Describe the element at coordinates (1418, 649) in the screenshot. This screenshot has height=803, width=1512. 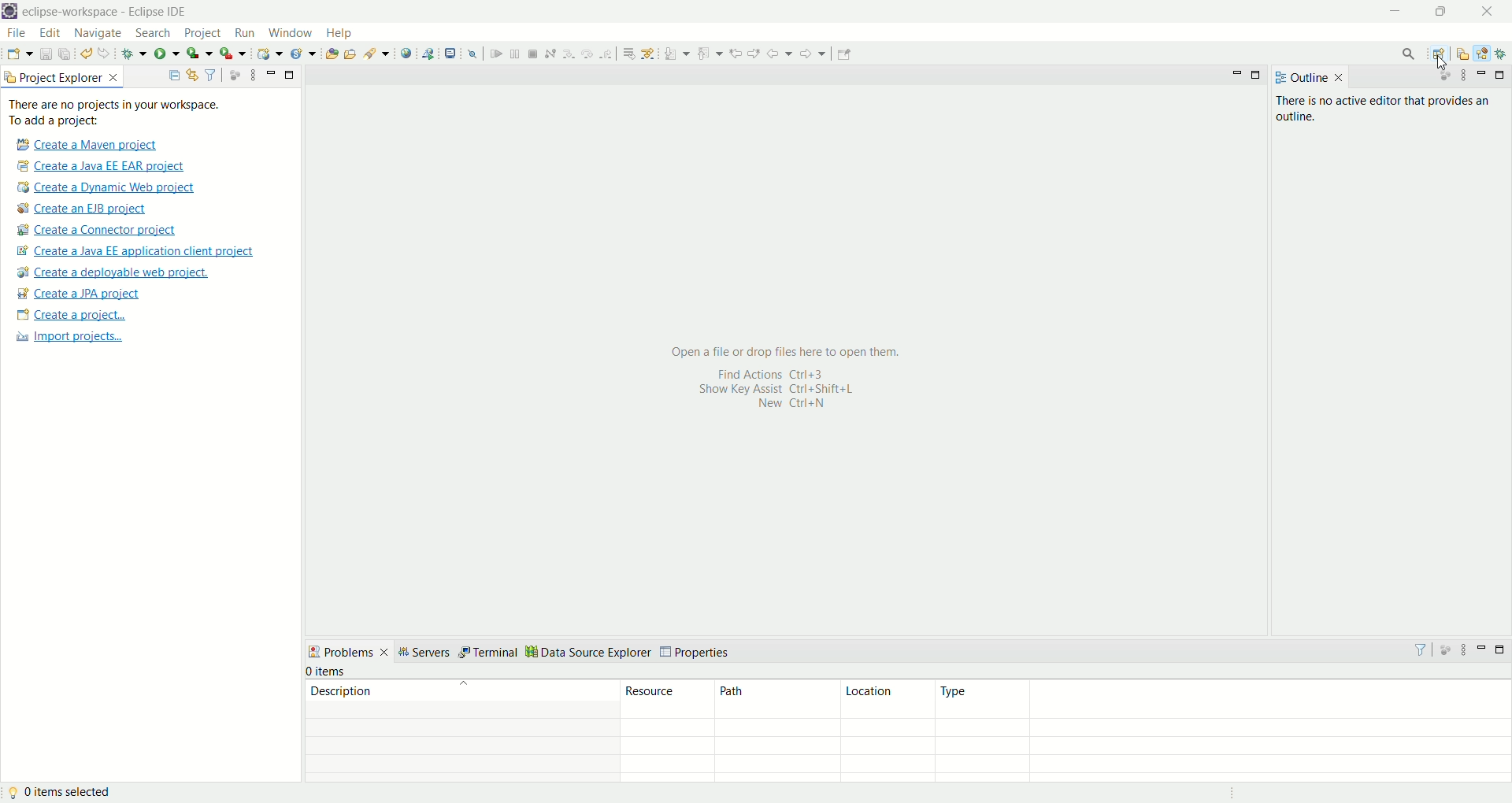
I see `filter` at that location.